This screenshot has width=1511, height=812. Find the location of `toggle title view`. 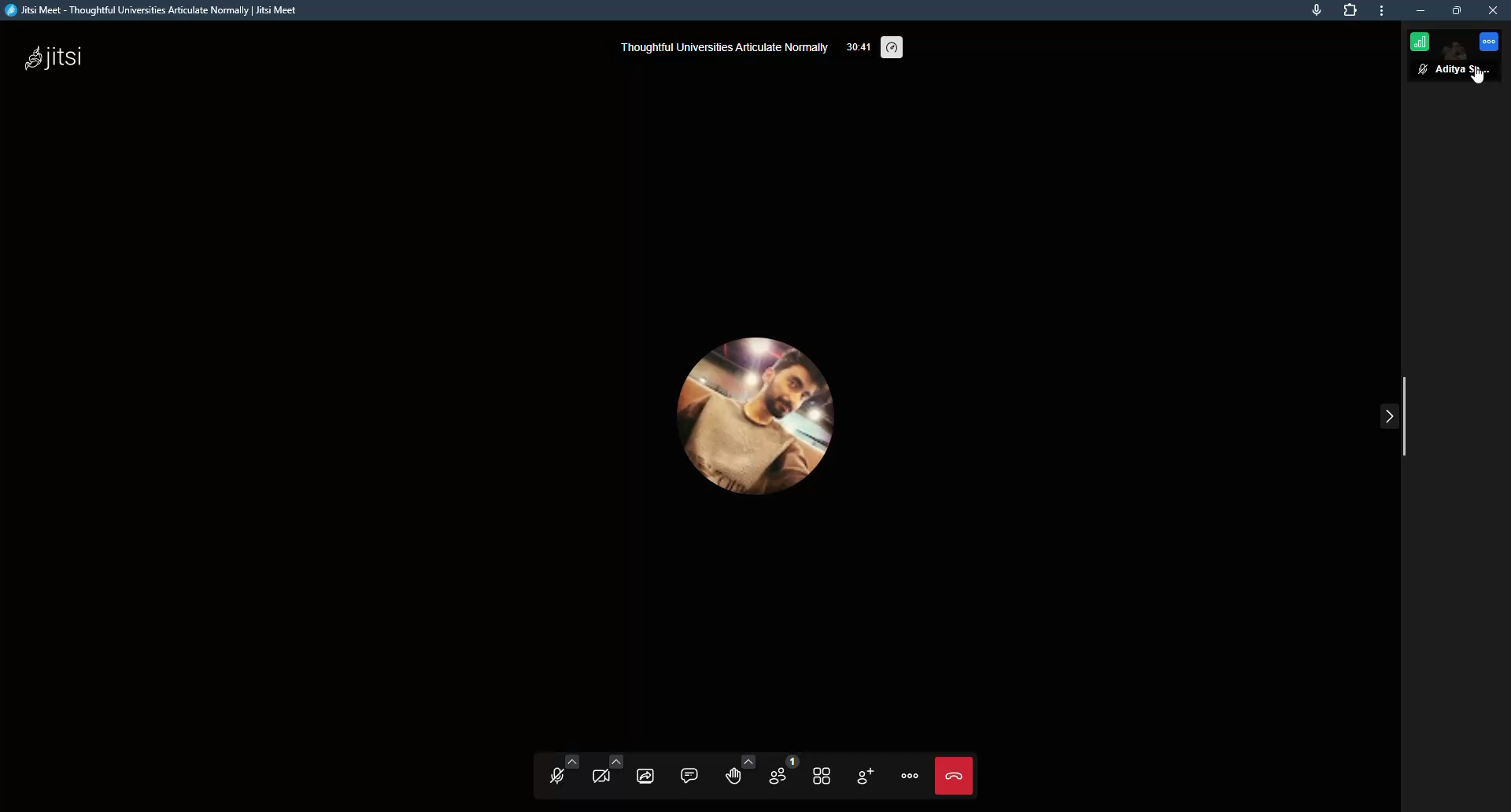

toggle title view is located at coordinates (822, 775).